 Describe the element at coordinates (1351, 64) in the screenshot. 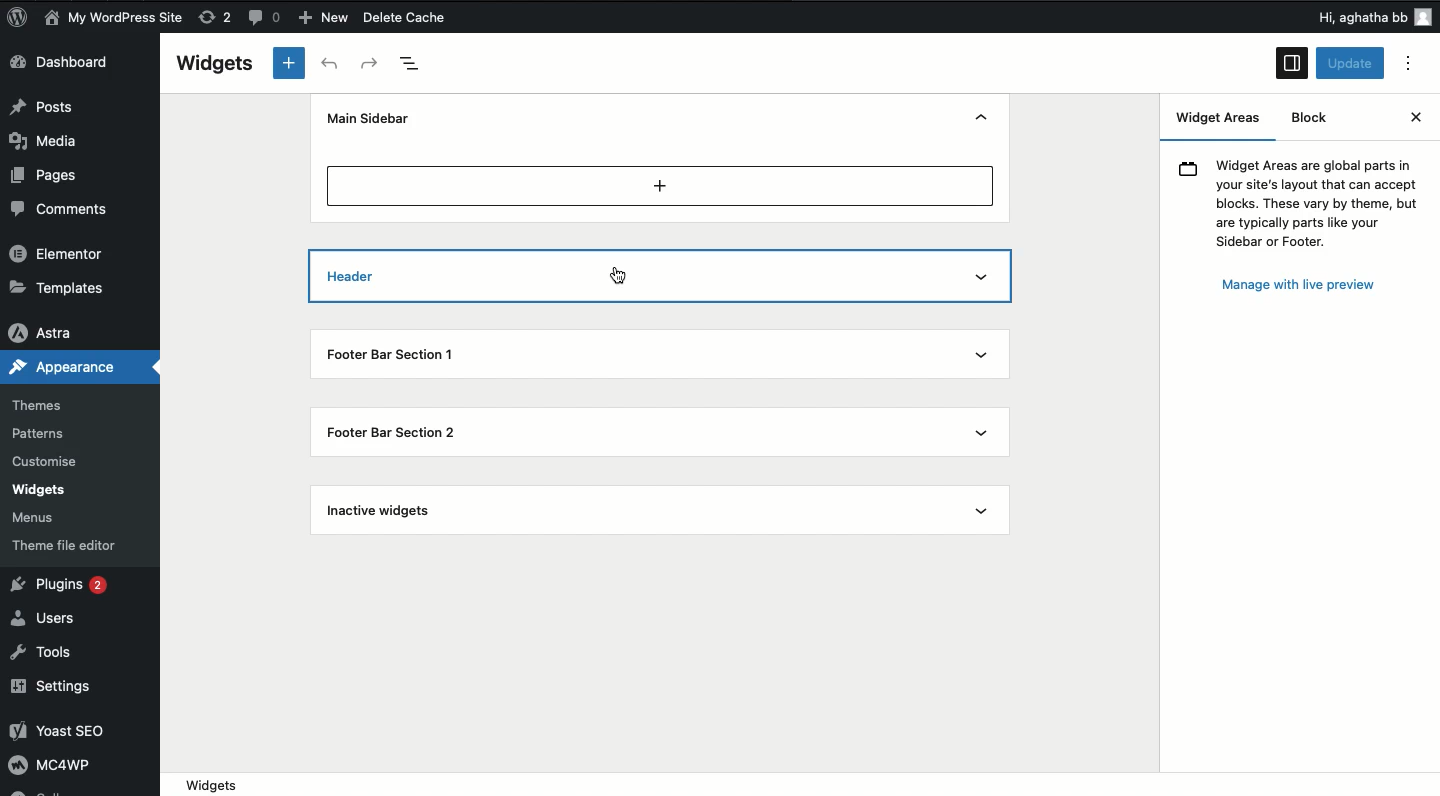

I see `Update` at that location.